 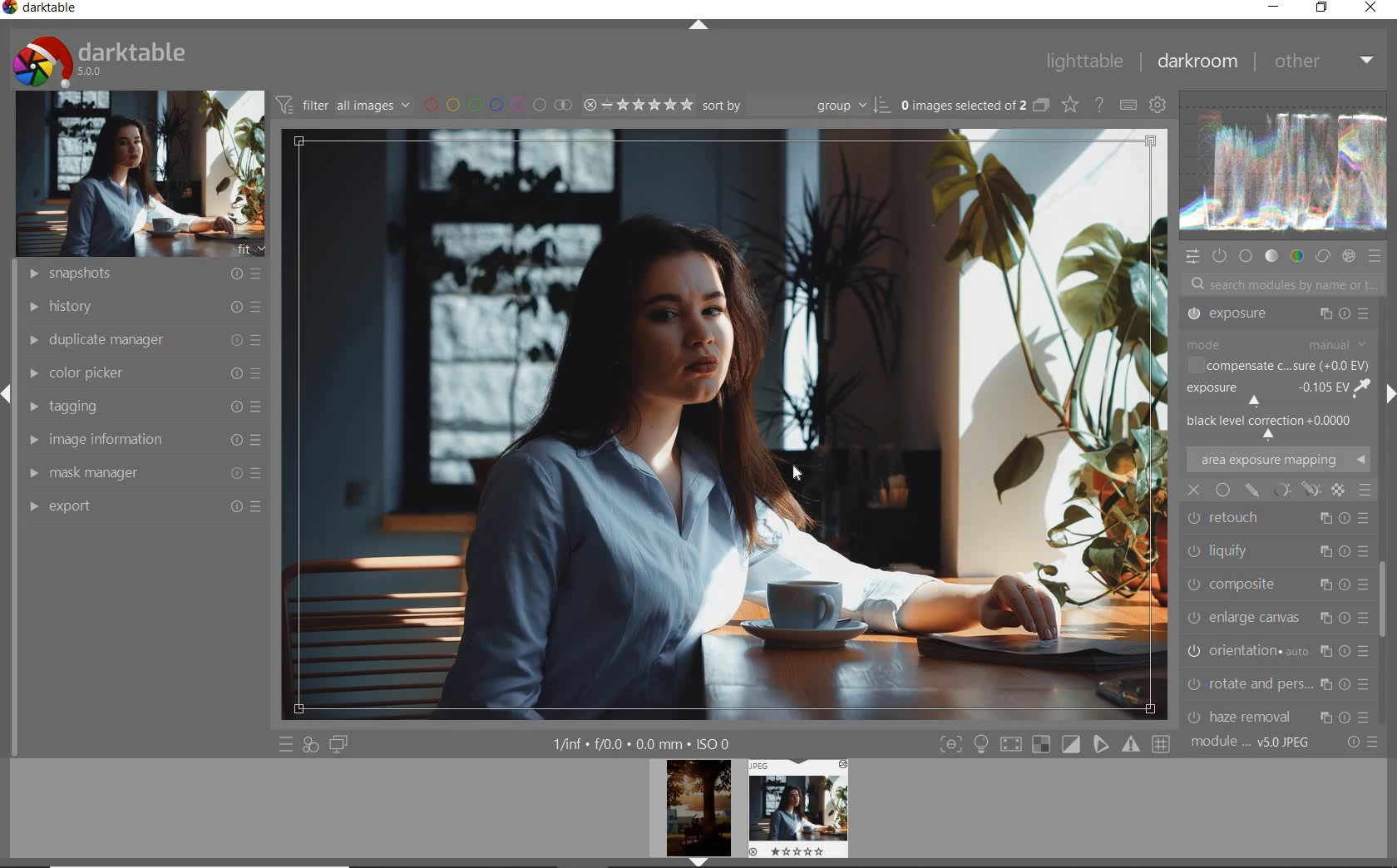 I want to click on FILTER IMAGE, so click(x=339, y=105).